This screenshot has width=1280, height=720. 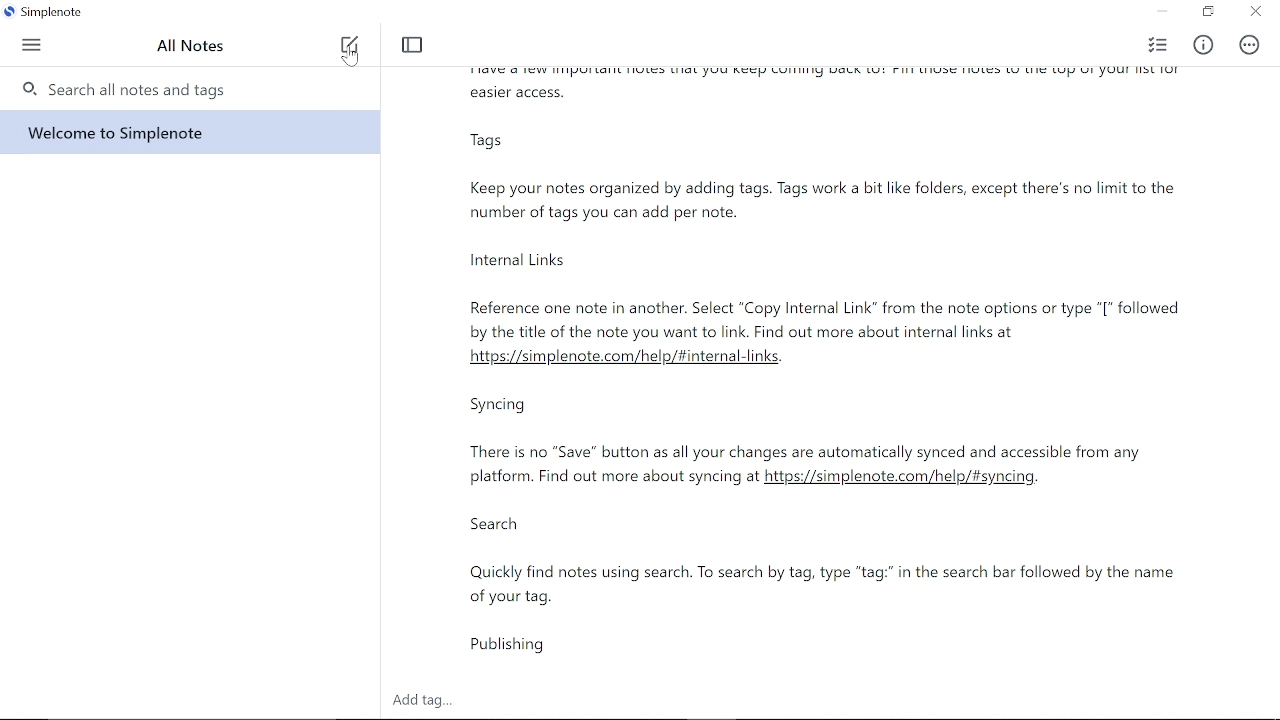 I want to click on Restore down, so click(x=1206, y=13).